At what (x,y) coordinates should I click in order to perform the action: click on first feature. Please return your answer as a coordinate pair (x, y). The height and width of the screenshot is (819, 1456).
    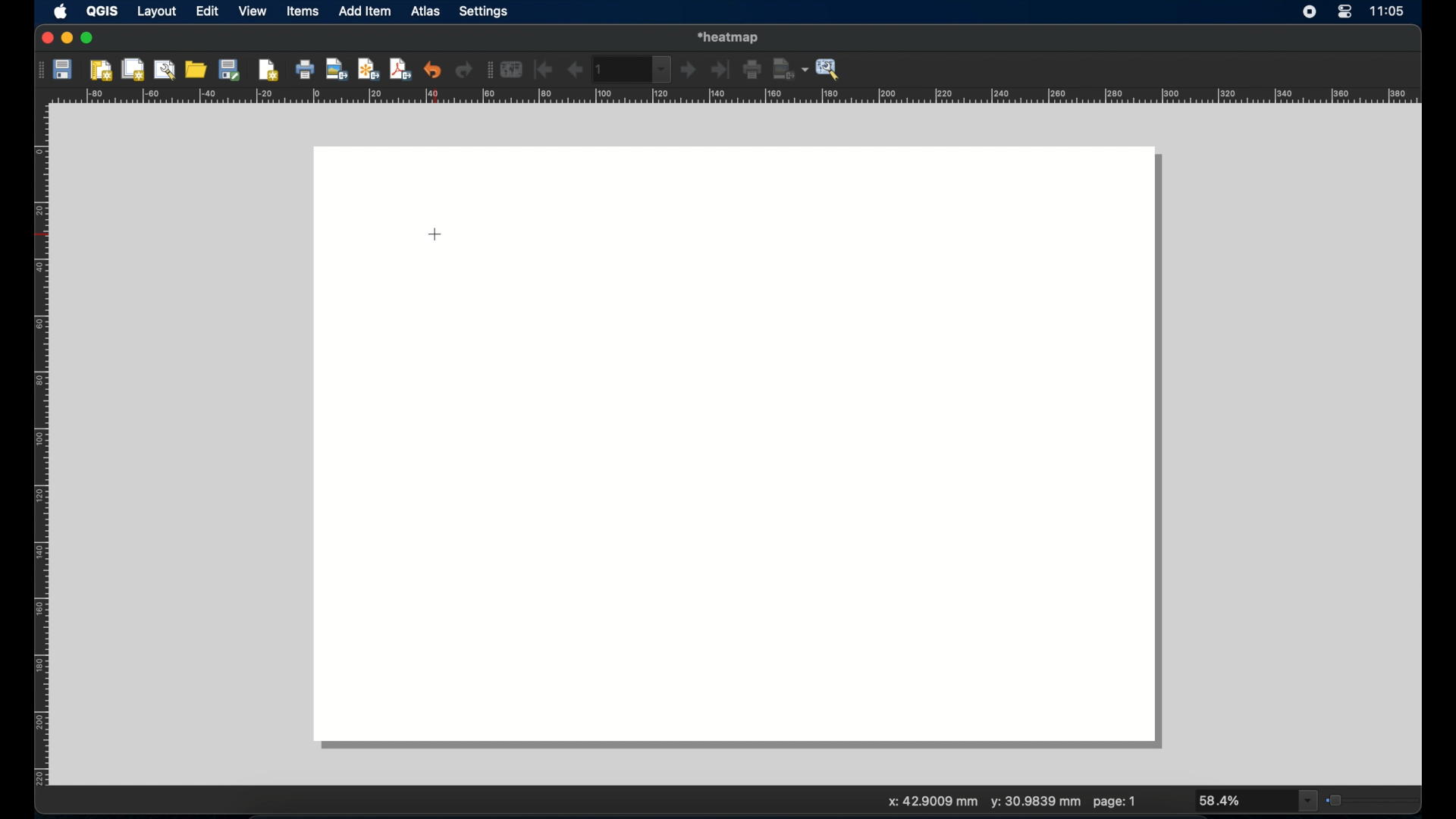
    Looking at the image, I should click on (544, 69).